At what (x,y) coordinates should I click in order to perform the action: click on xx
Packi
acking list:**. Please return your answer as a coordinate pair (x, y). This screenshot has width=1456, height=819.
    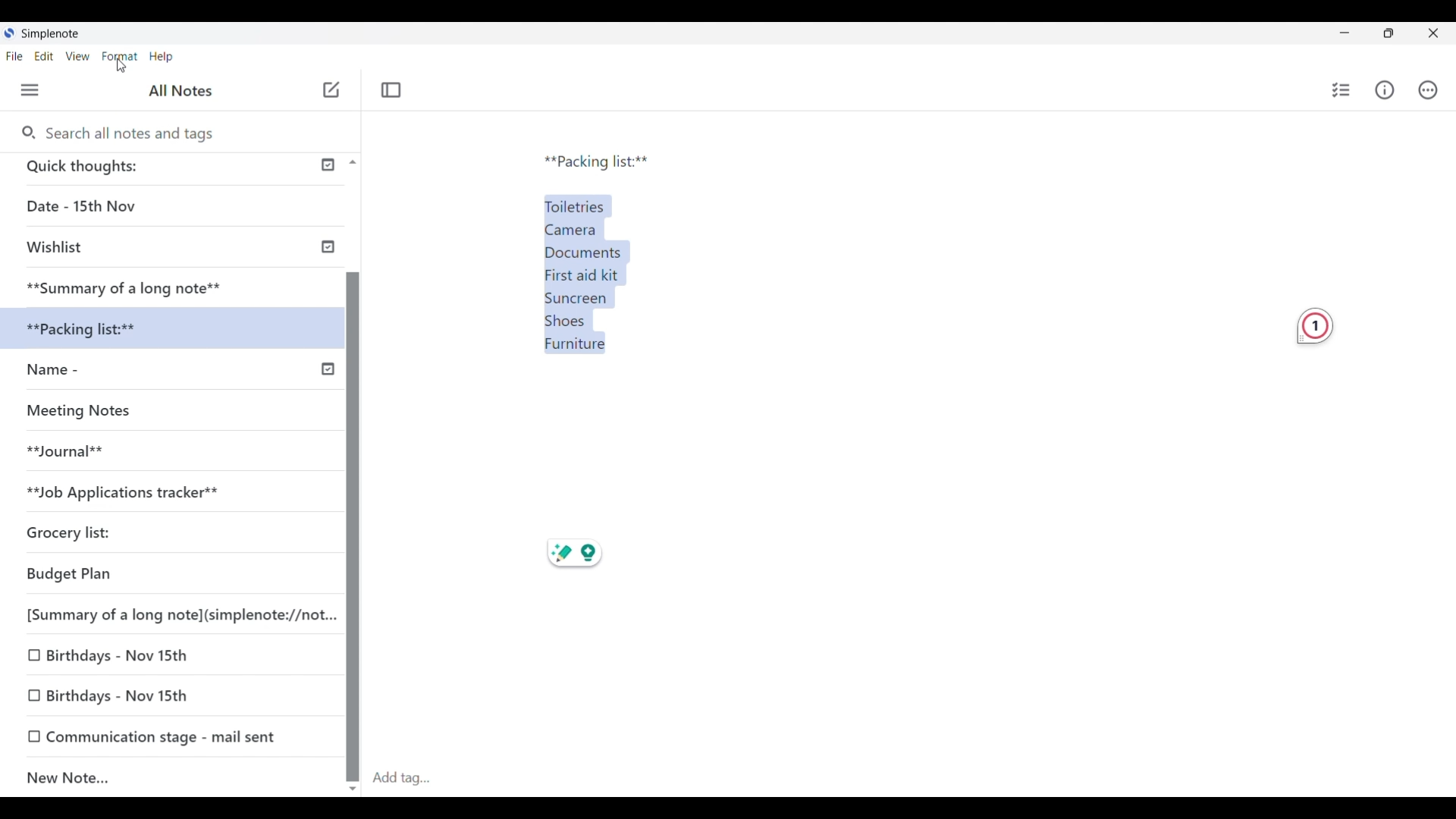
    Looking at the image, I should click on (99, 329).